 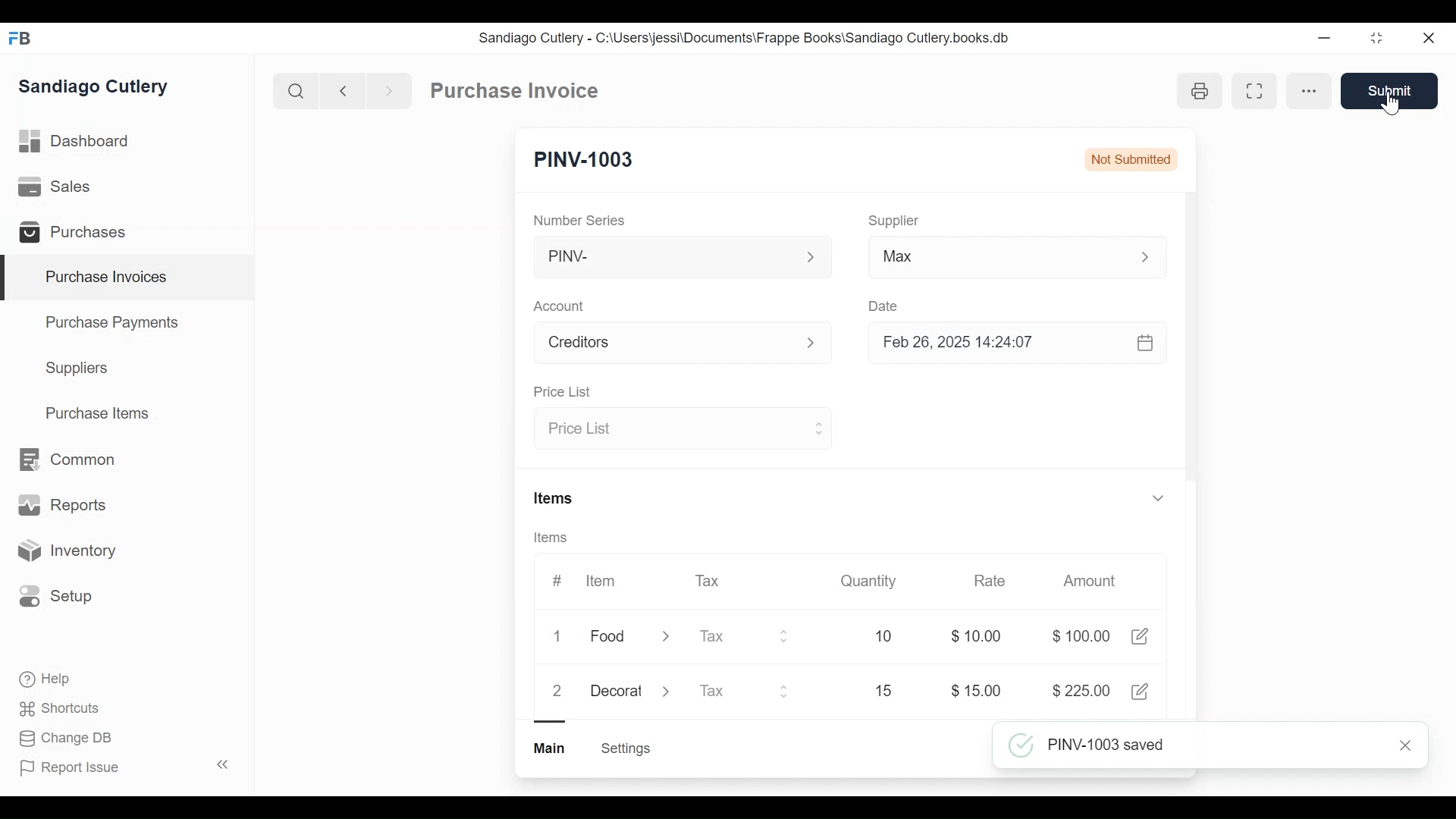 What do you see at coordinates (1408, 745) in the screenshot?
I see `Close` at bounding box center [1408, 745].